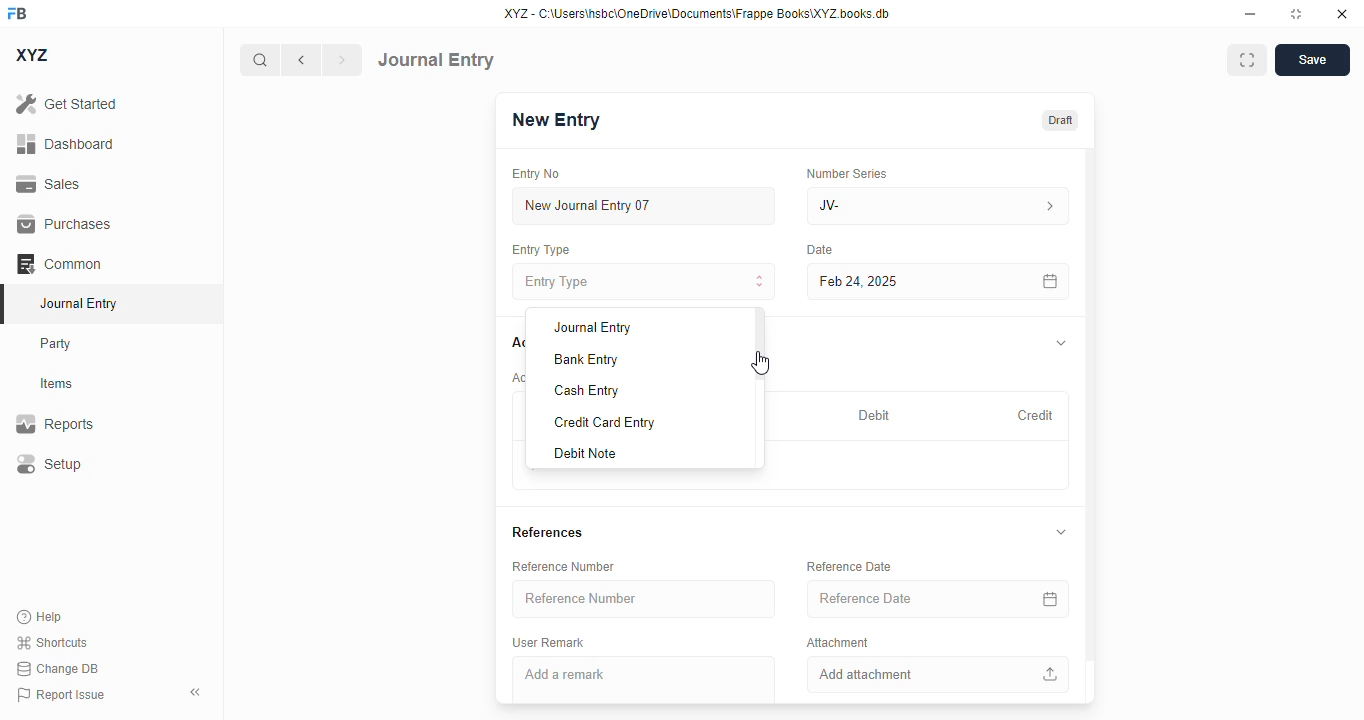  What do you see at coordinates (49, 463) in the screenshot?
I see `setup` at bounding box center [49, 463].